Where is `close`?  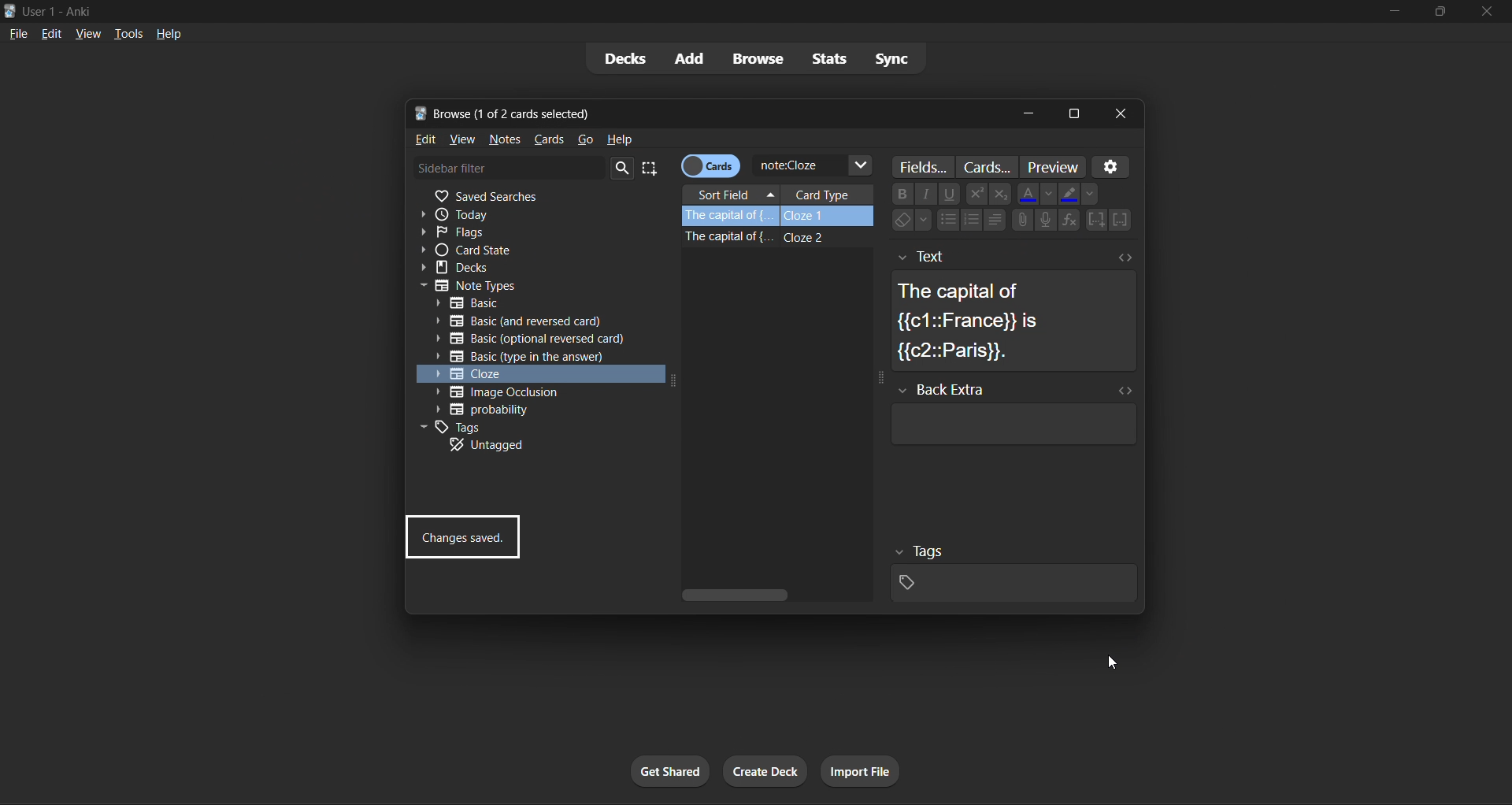 close is located at coordinates (1123, 113).